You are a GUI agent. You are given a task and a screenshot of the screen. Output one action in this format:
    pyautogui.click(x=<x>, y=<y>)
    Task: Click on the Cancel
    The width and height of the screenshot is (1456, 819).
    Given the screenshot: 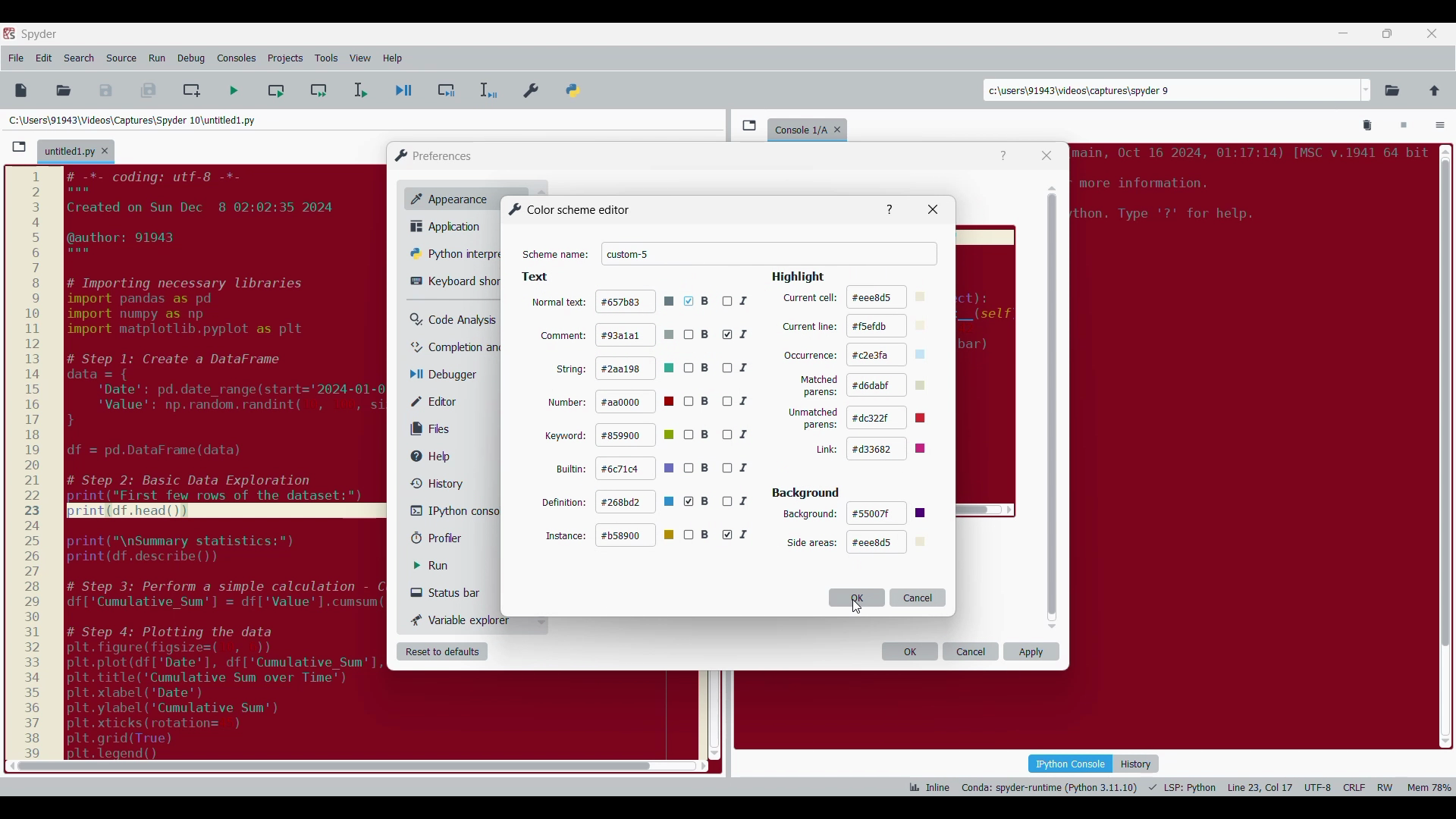 What is the action you would take?
    pyautogui.click(x=918, y=597)
    